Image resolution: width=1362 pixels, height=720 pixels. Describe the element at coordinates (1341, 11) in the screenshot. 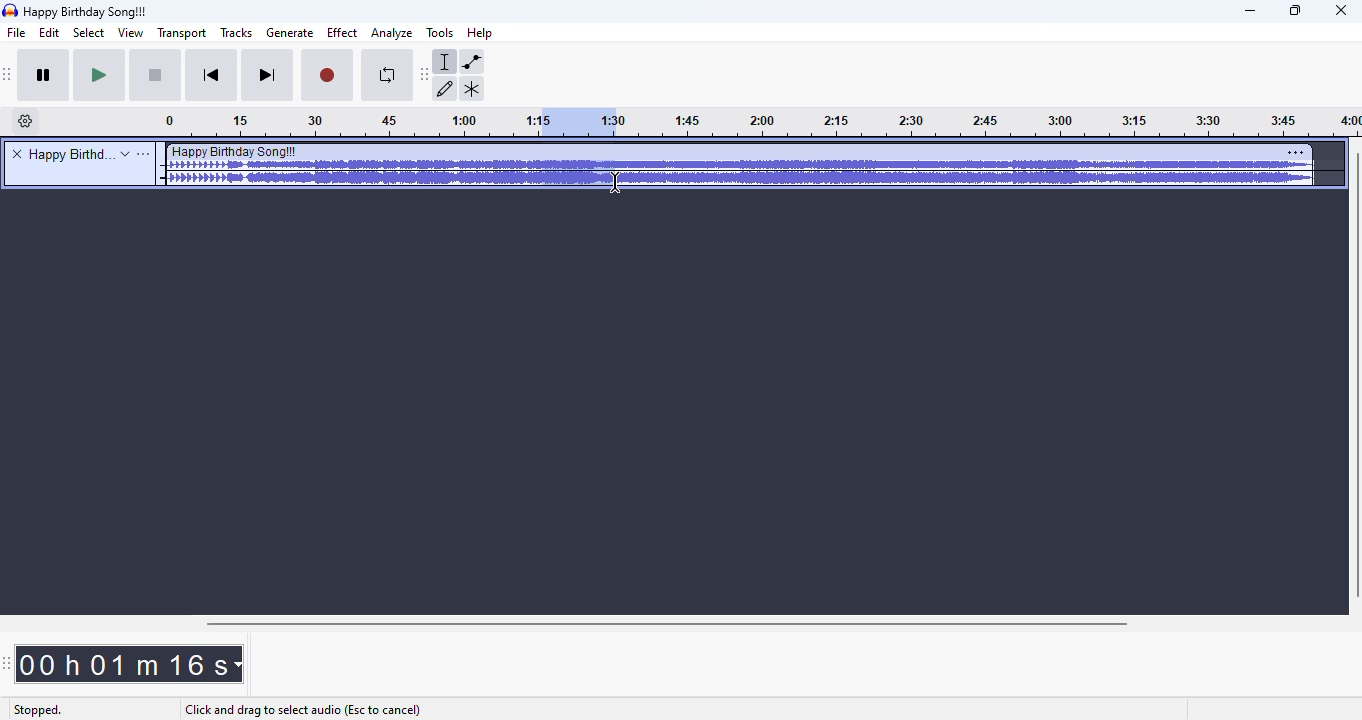

I see `close` at that location.